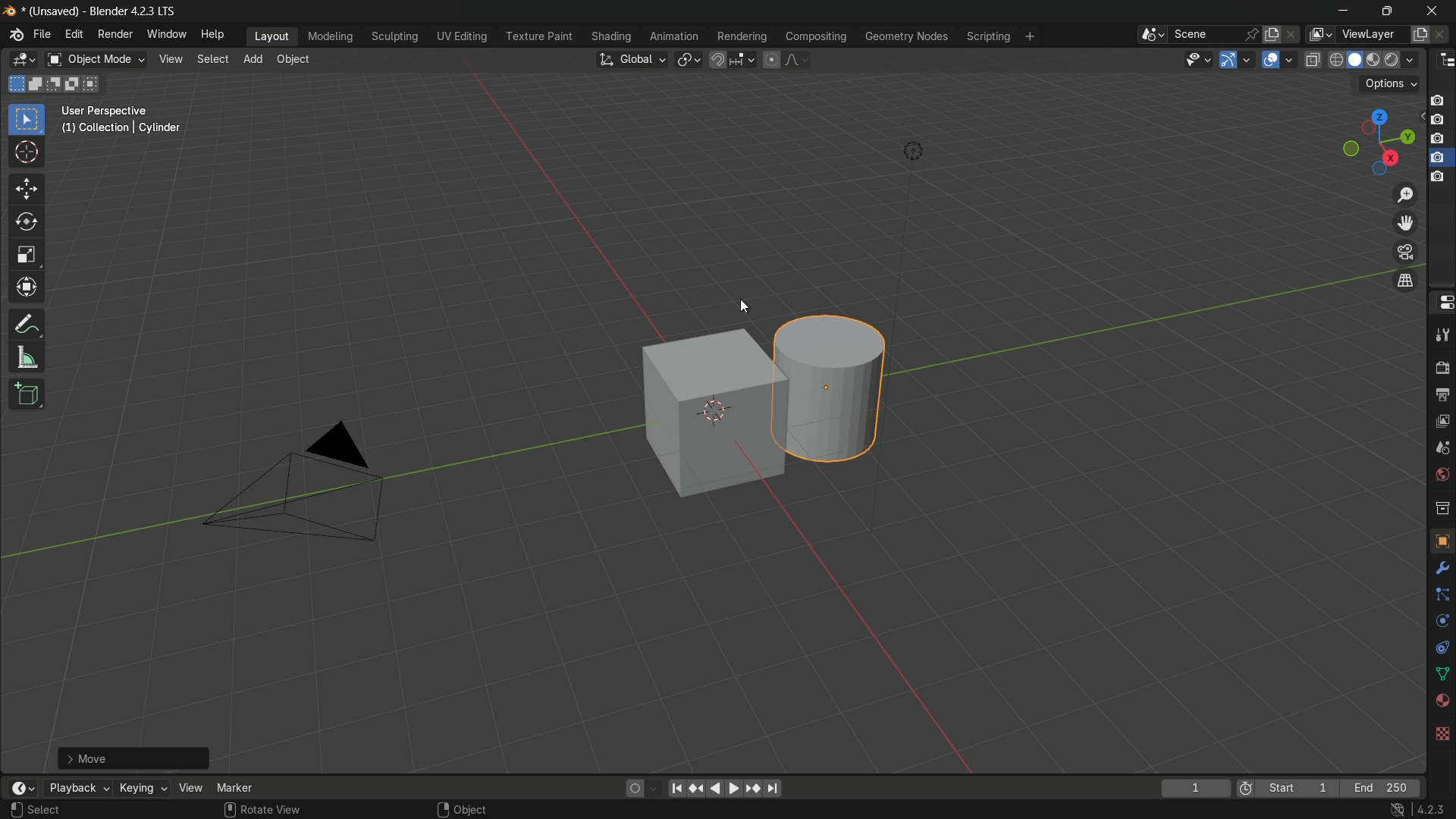 The height and width of the screenshot is (819, 1456). What do you see at coordinates (1272, 34) in the screenshot?
I see `new scene` at bounding box center [1272, 34].